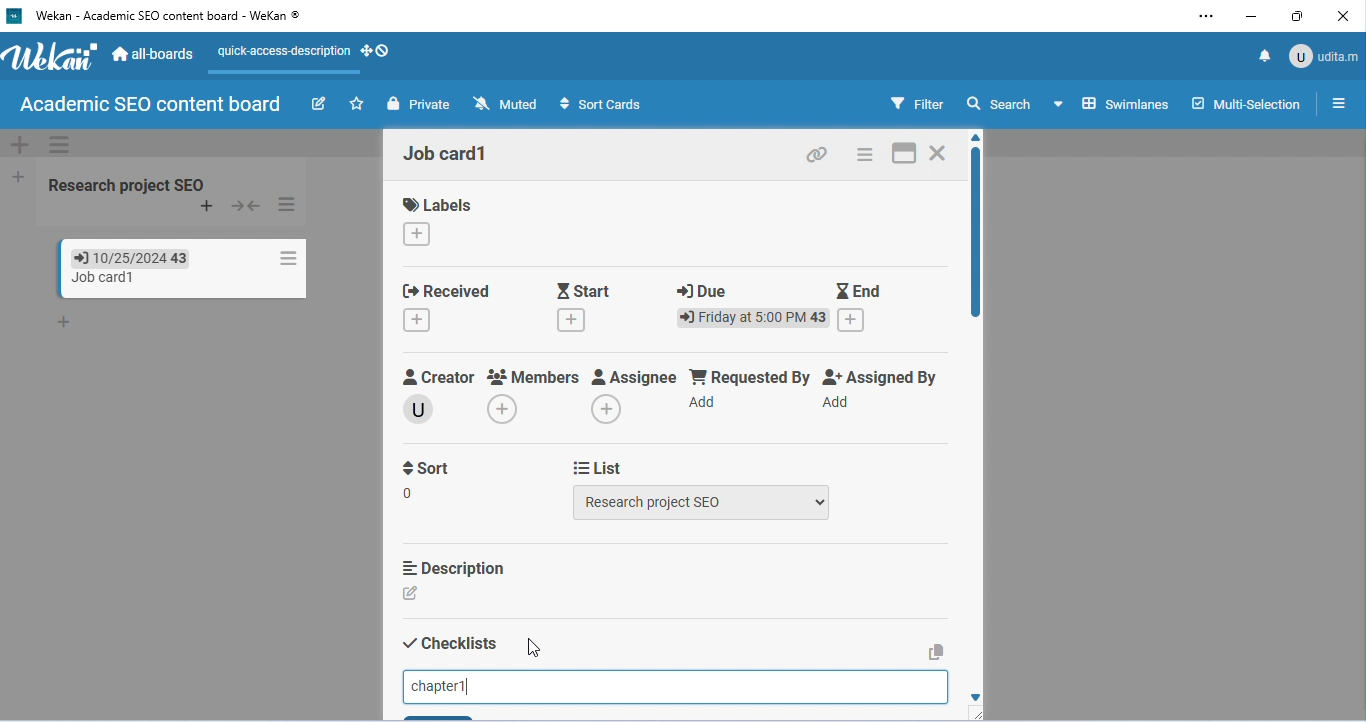 Image resolution: width=1366 pixels, height=722 pixels. I want to click on assigned by, so click(885, 376).